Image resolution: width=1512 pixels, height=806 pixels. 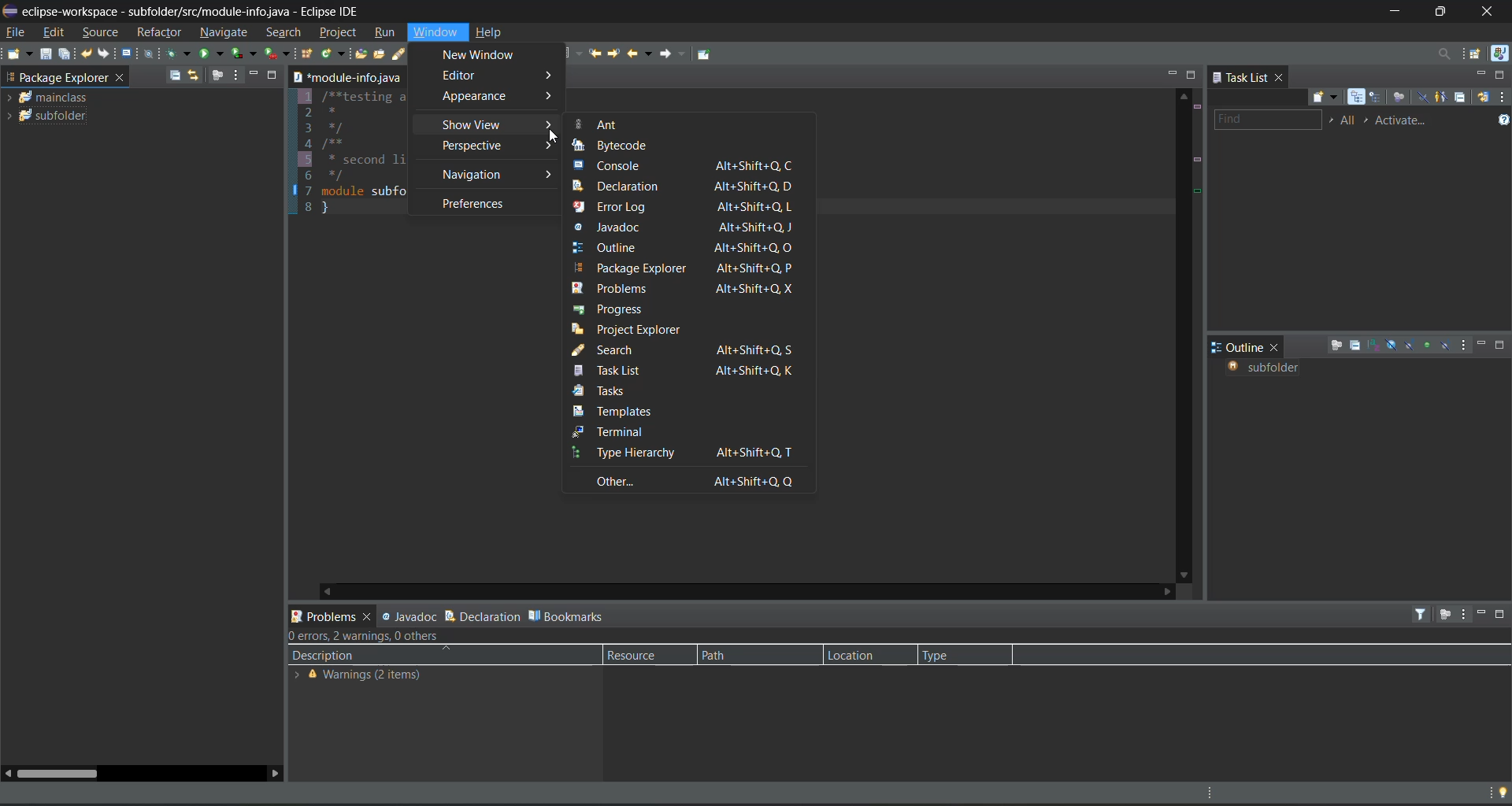 I want to click on tip of the day, so click(x=1499, y=793).